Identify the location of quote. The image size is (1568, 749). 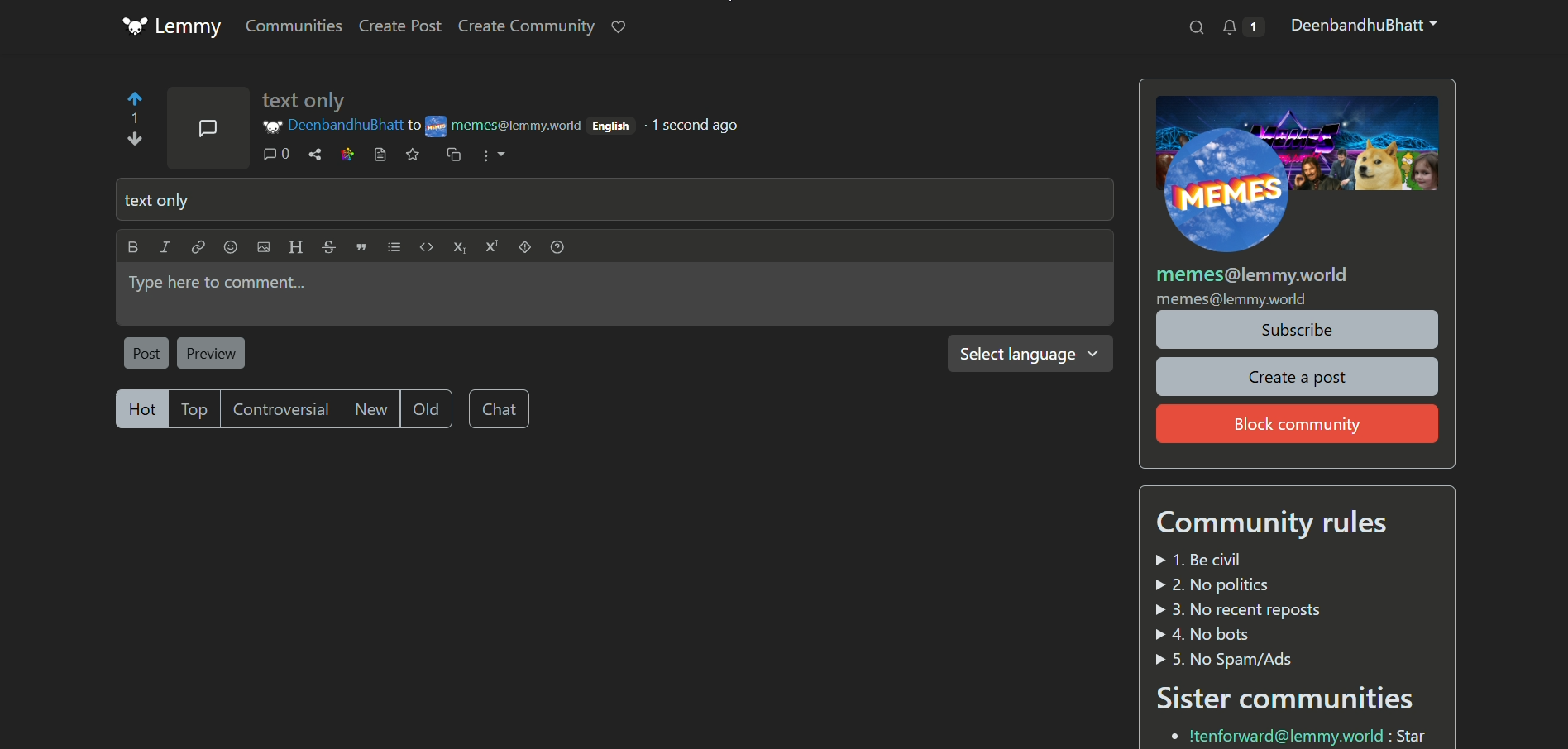
(358, 247).